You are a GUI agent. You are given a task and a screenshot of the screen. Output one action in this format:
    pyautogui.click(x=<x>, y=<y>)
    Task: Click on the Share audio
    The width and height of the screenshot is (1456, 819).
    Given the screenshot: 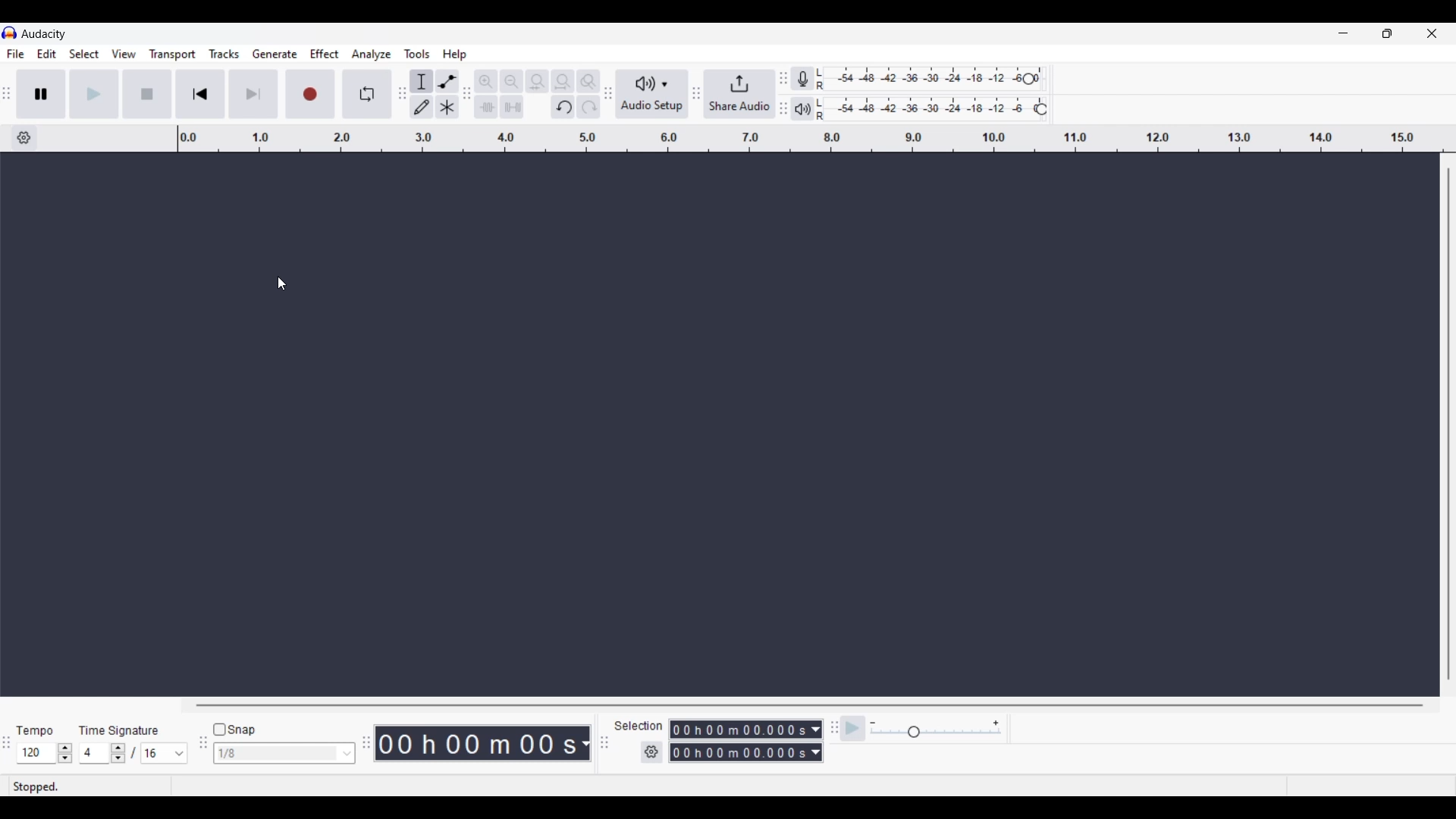 What is the action you would take?
    pyautogui.click(x=739, y=94)
    